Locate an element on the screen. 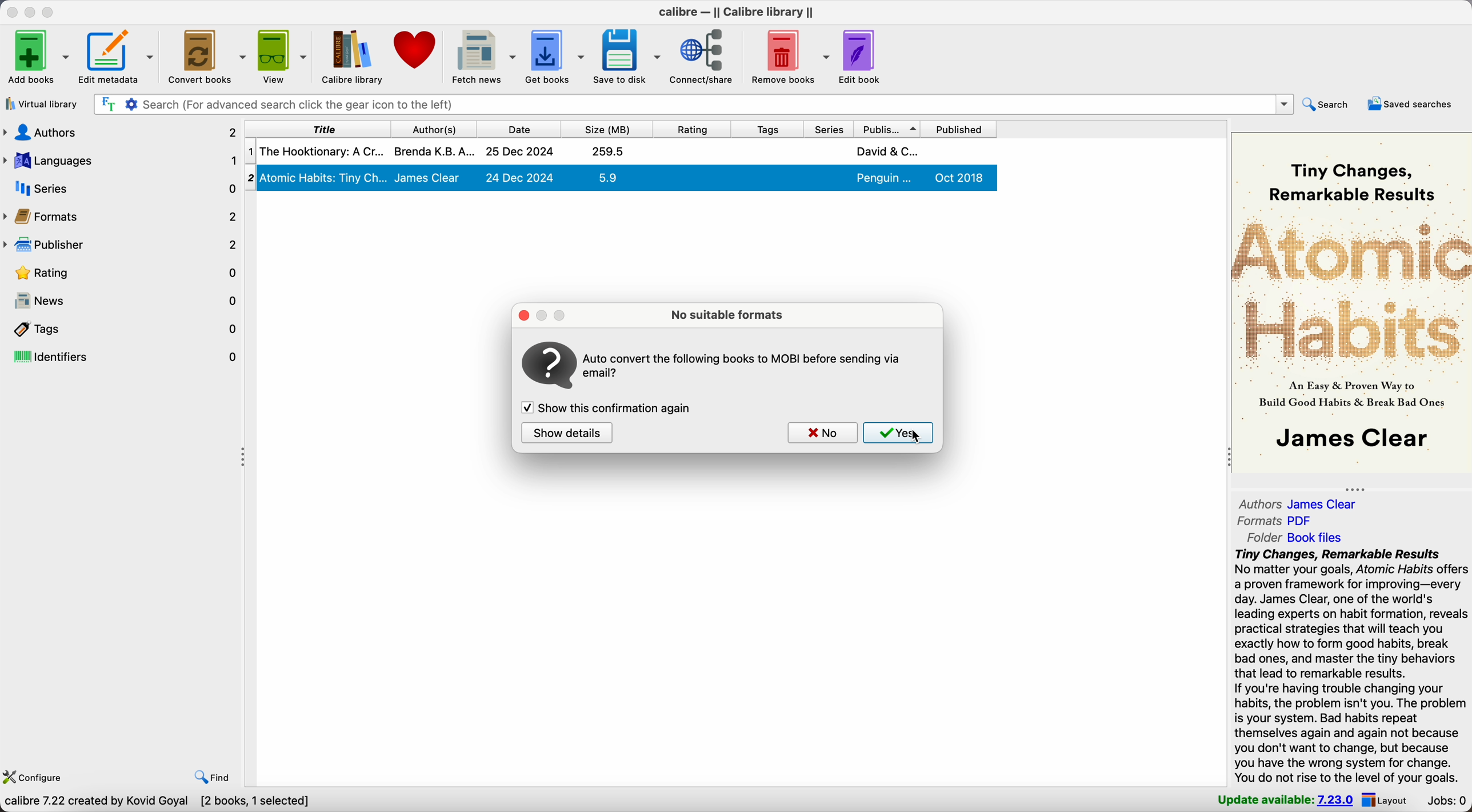 Image resolution: width=1472 pixels, height=812 pixels. rating is located at coordinates (691, 127).